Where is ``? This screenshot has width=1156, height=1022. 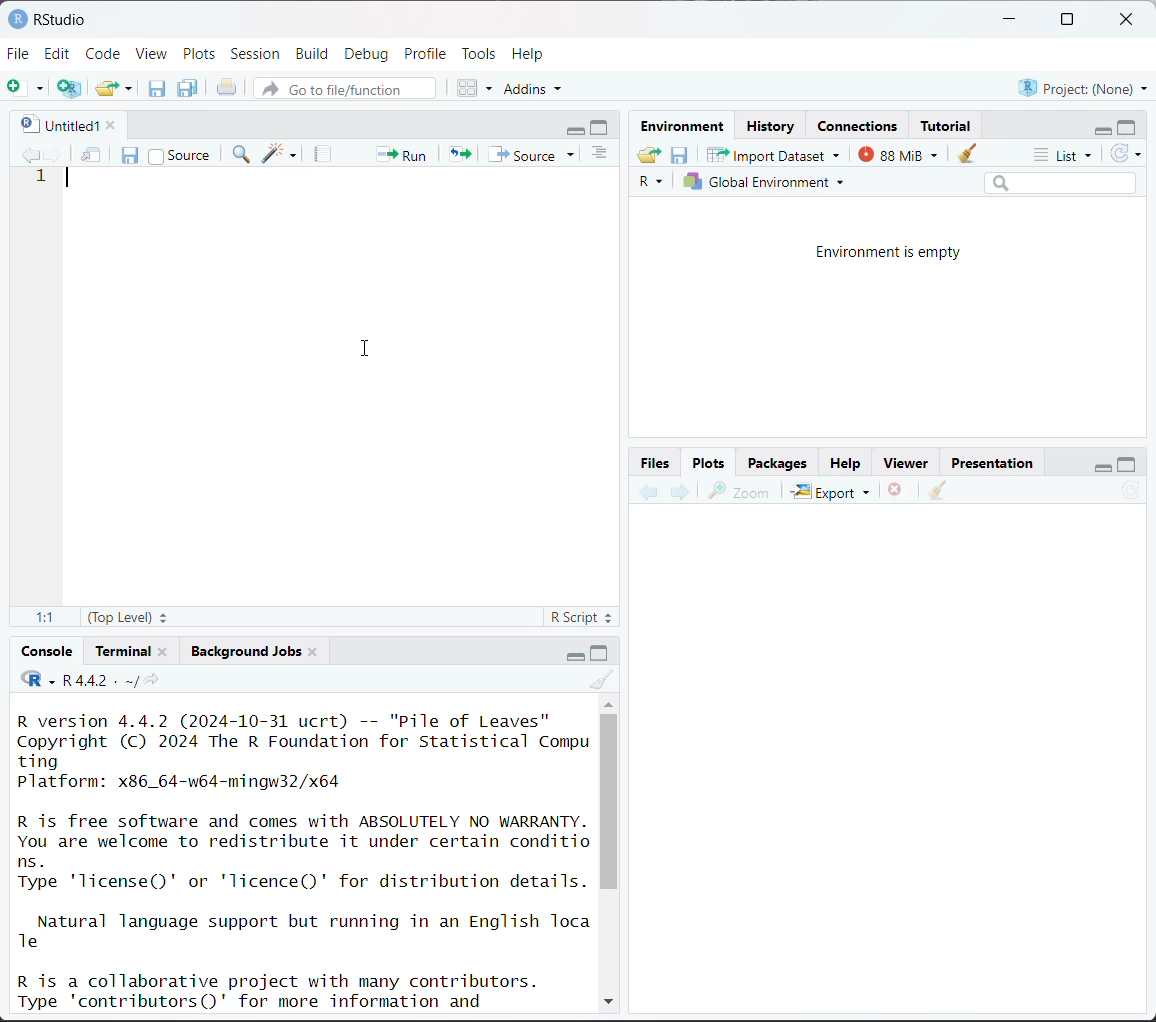
 is located at coordinates (657, 462).